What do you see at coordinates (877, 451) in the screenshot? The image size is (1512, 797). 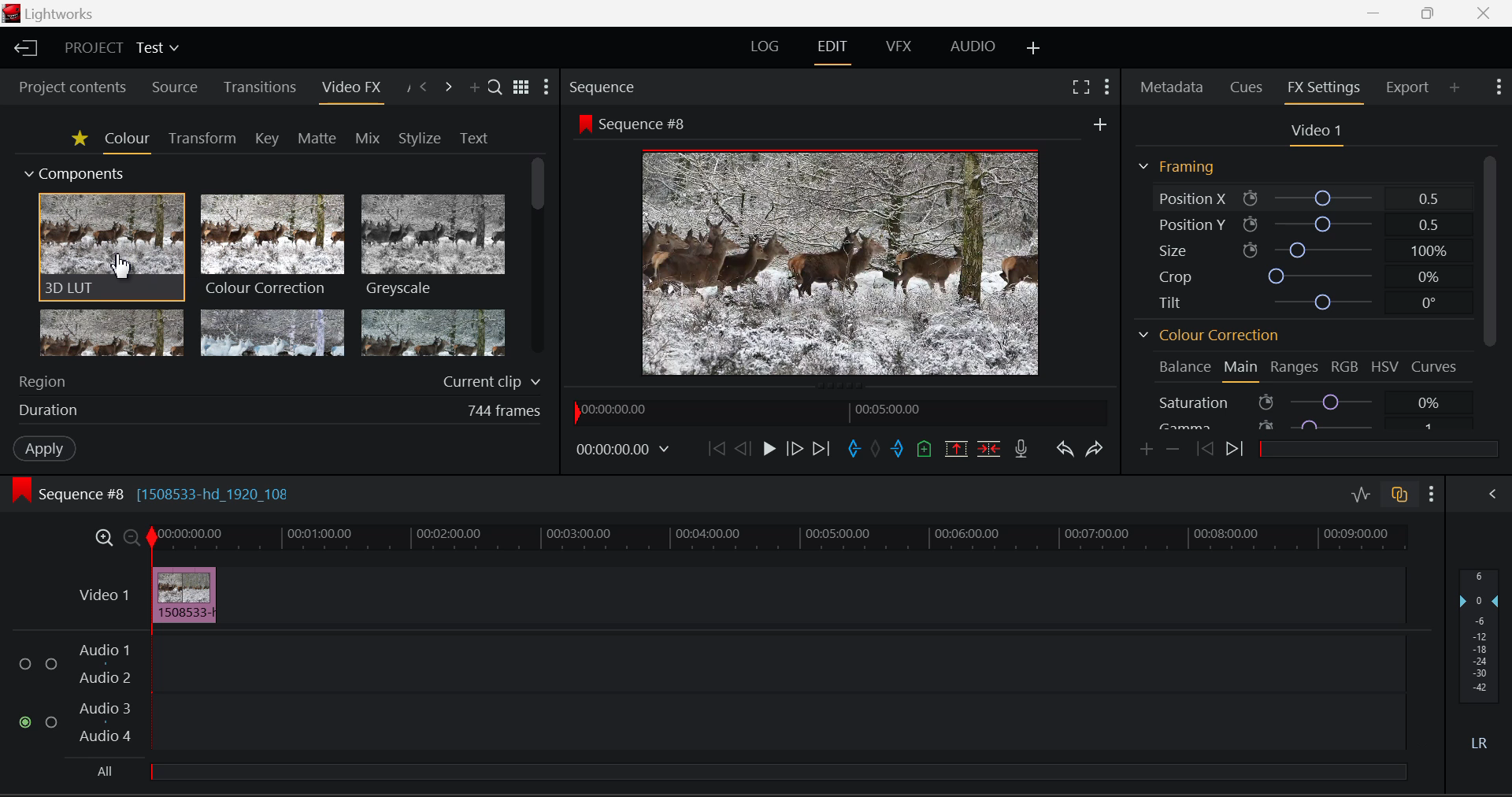 I see `Remove all marks` at bounding box center [877, 451].